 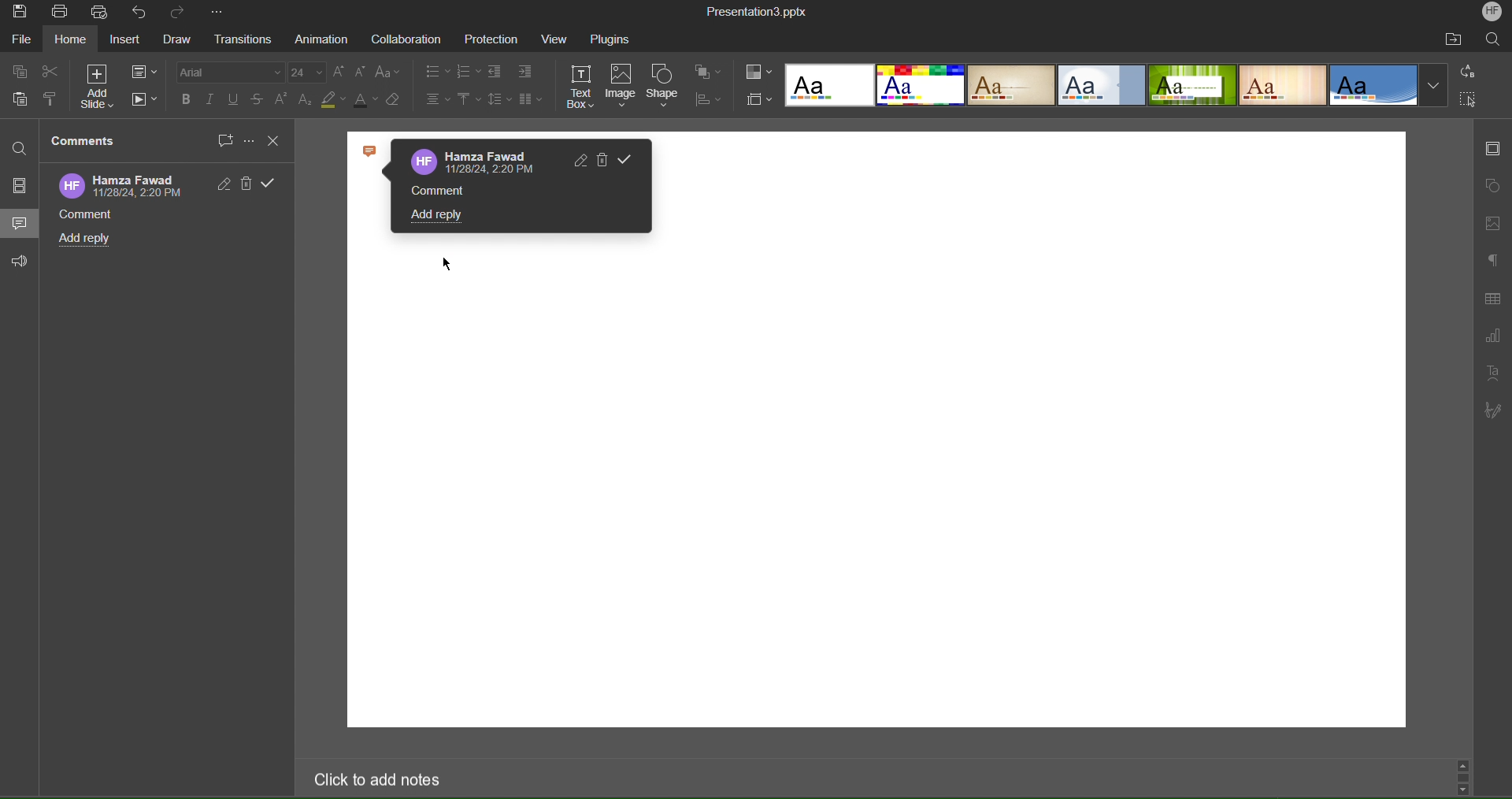 What do you see at coordinates (470, 71) in the screenshot?
I see `List Options` at bounding box center [470, 71].